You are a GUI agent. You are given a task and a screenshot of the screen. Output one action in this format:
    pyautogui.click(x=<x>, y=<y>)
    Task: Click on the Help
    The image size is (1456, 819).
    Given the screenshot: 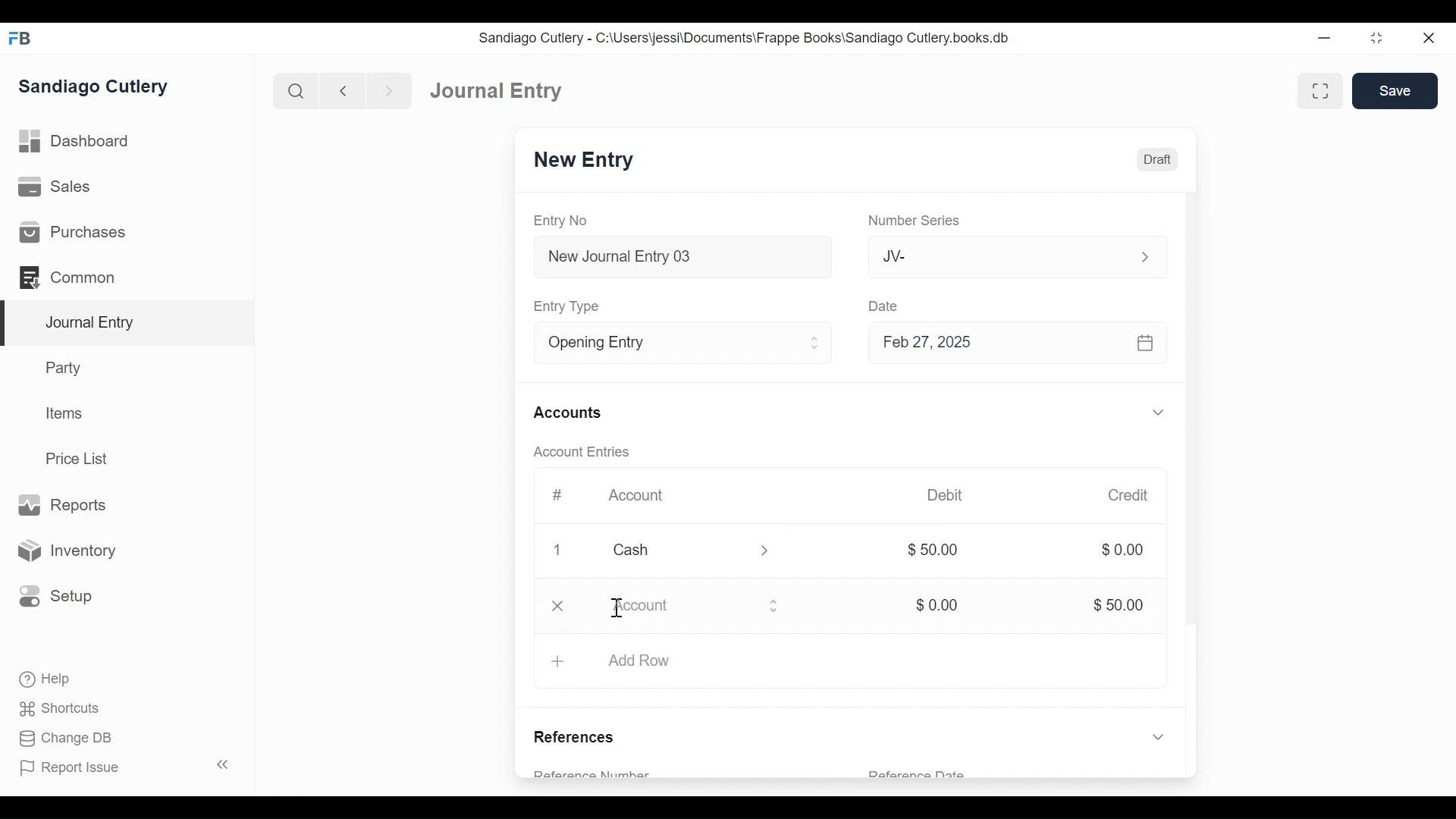 What is the action you would take?
    pyautogui.click(x=46, y=679)
    